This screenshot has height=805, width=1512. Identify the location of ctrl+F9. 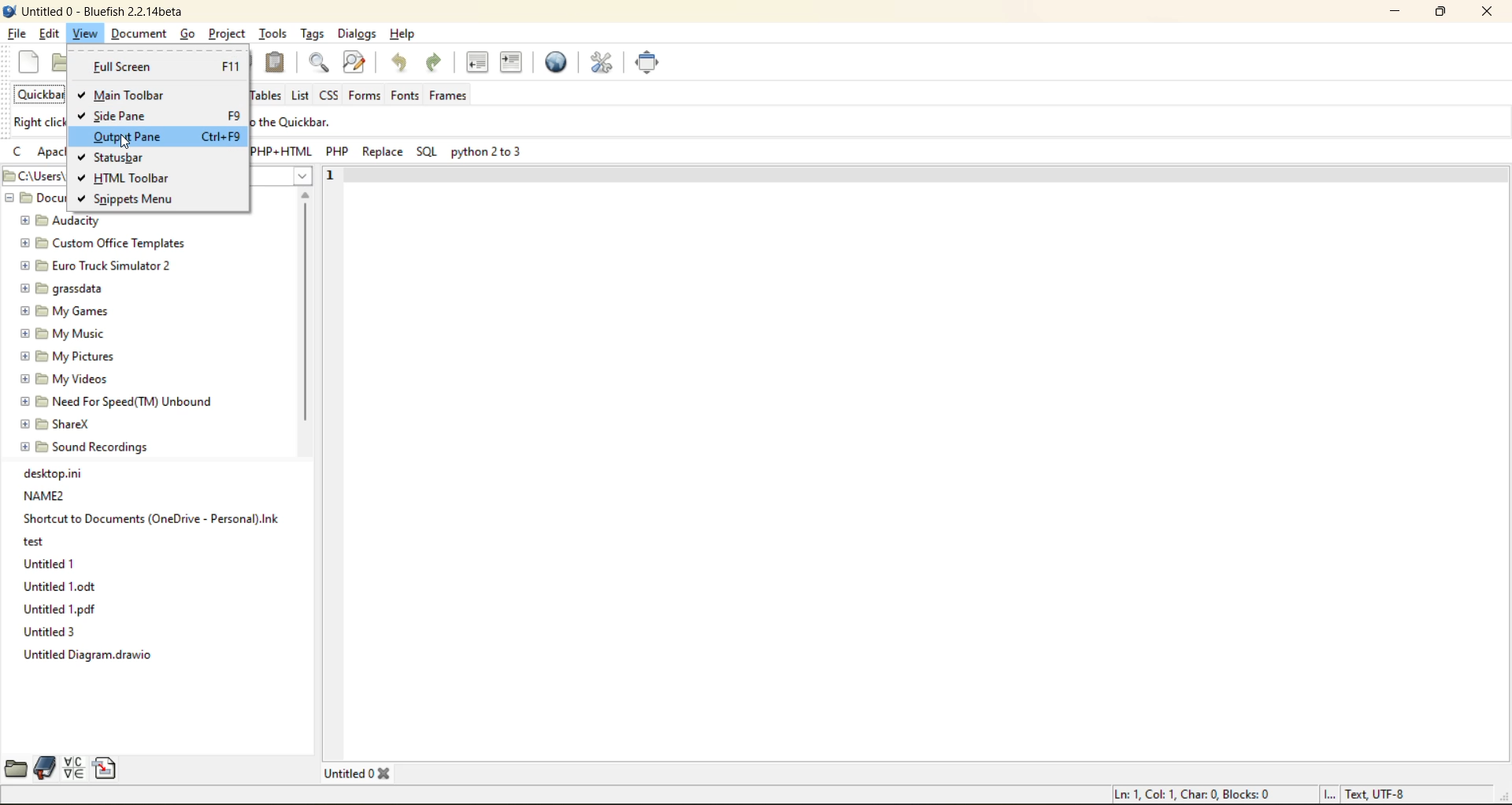
(220, 136).